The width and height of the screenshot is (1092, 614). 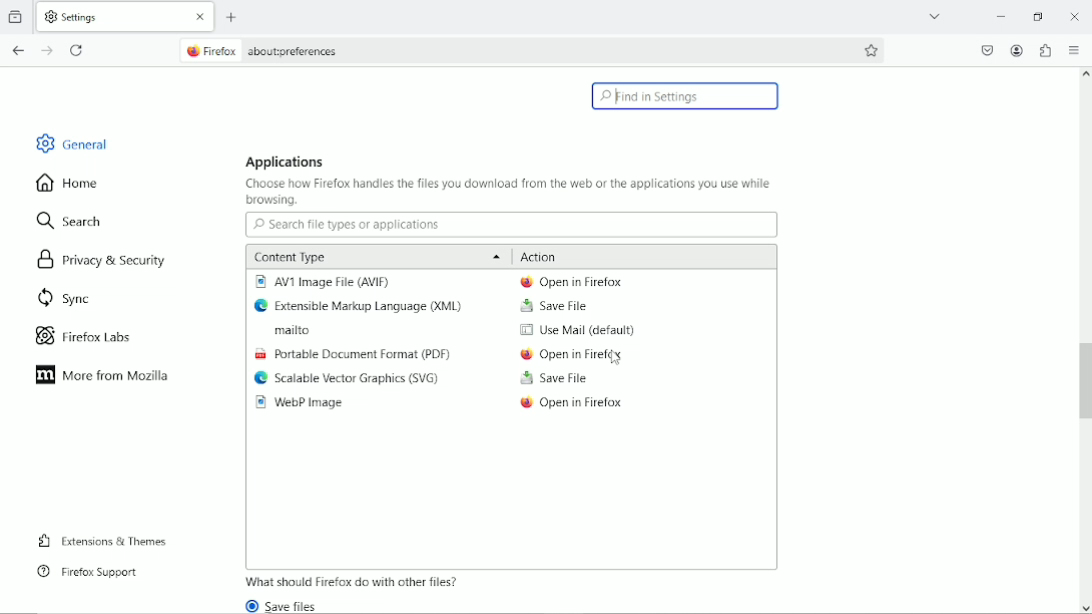 I want to click on Go forward, so click(x=49, y=51).